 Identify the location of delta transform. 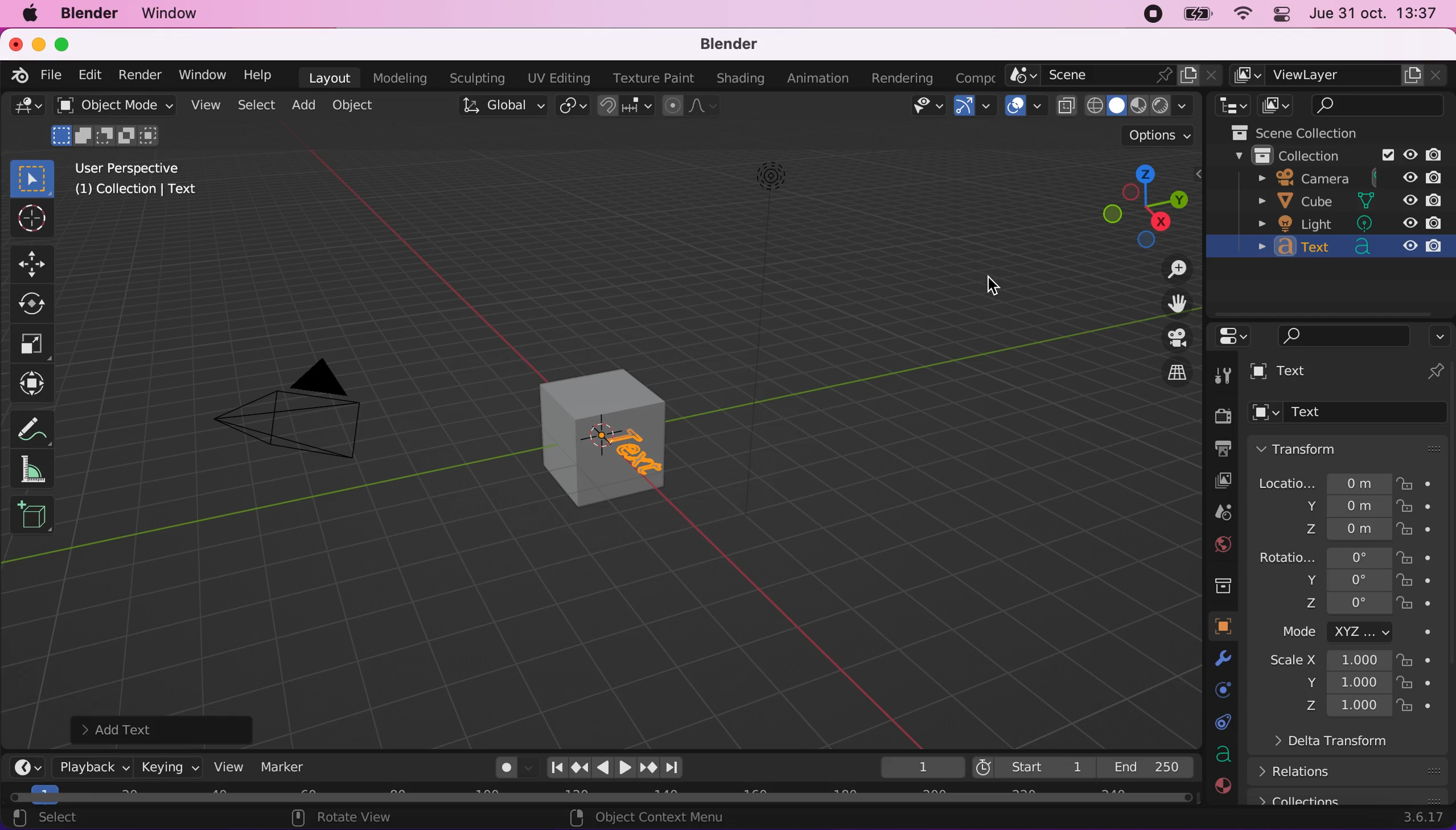
(1340, 741).